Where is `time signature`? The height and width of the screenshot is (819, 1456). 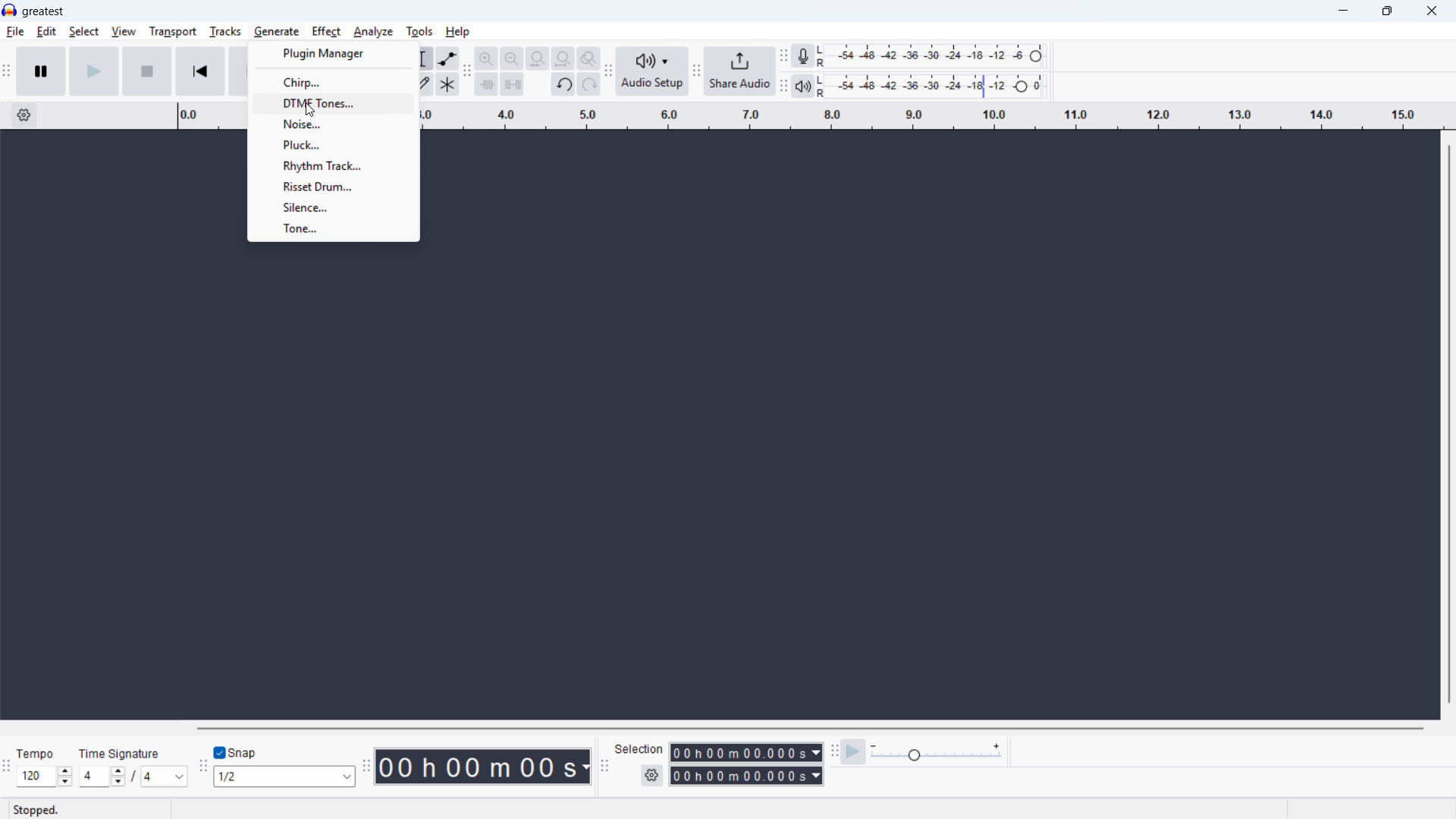 time signature is located at coordinates (121, 753).